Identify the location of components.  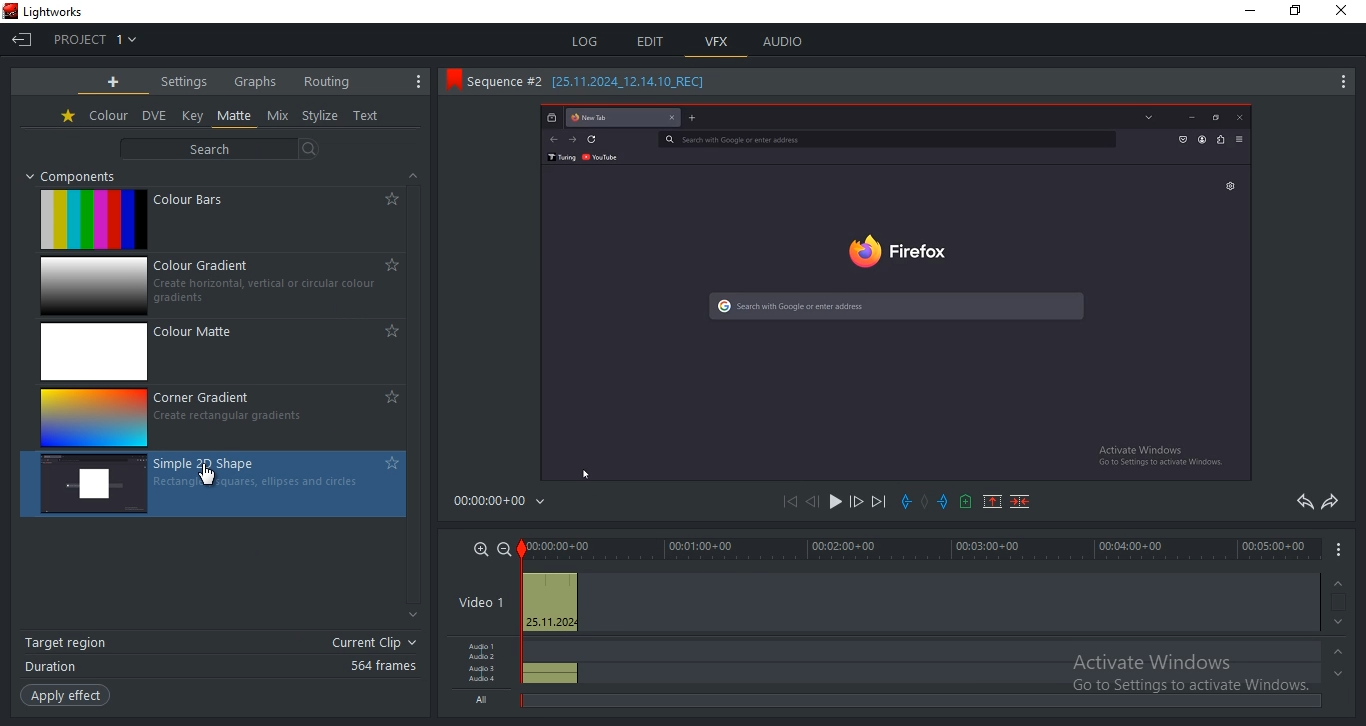
(79, 176).